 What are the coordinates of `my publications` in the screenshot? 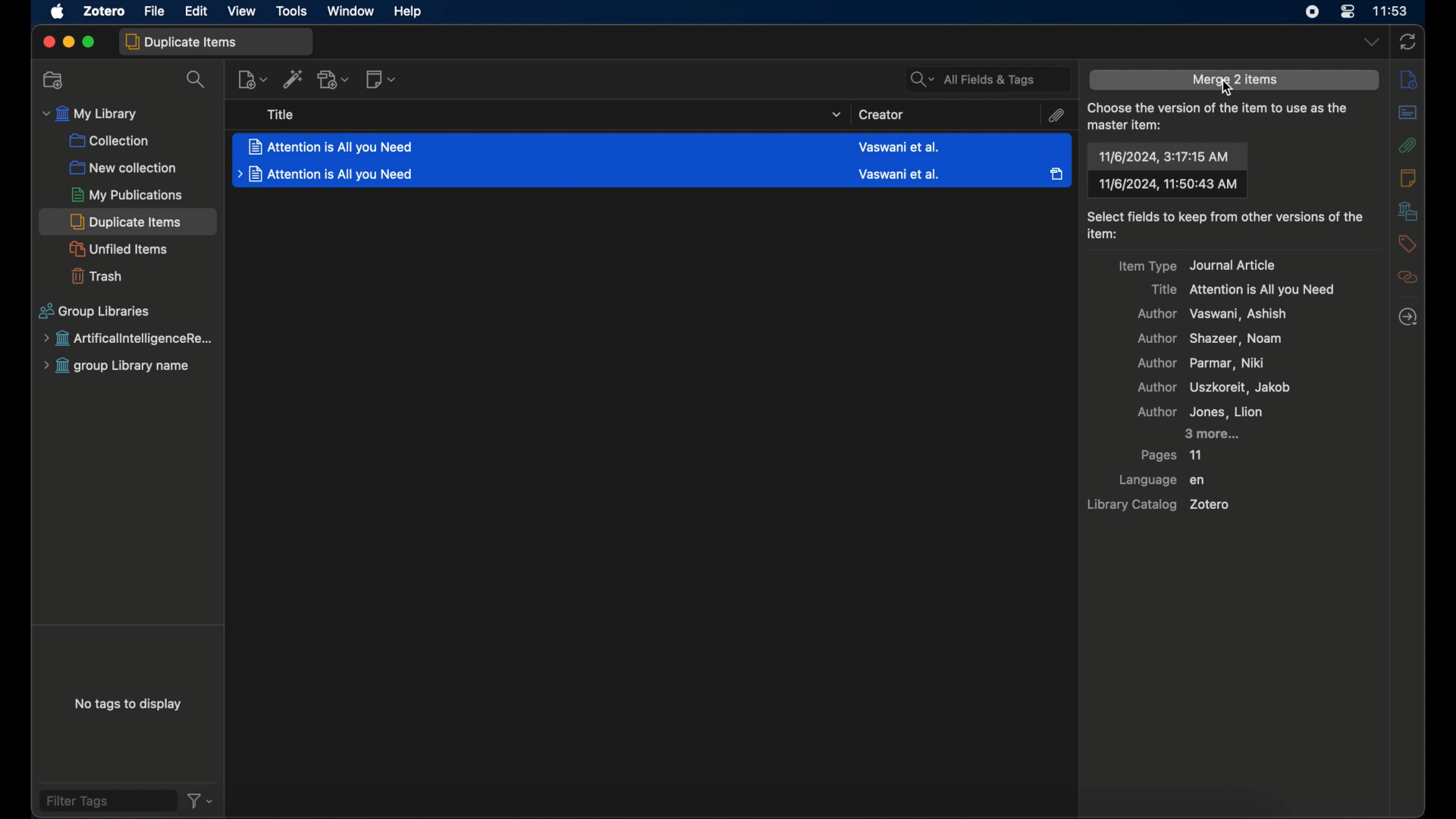 It's located at (127, 195).